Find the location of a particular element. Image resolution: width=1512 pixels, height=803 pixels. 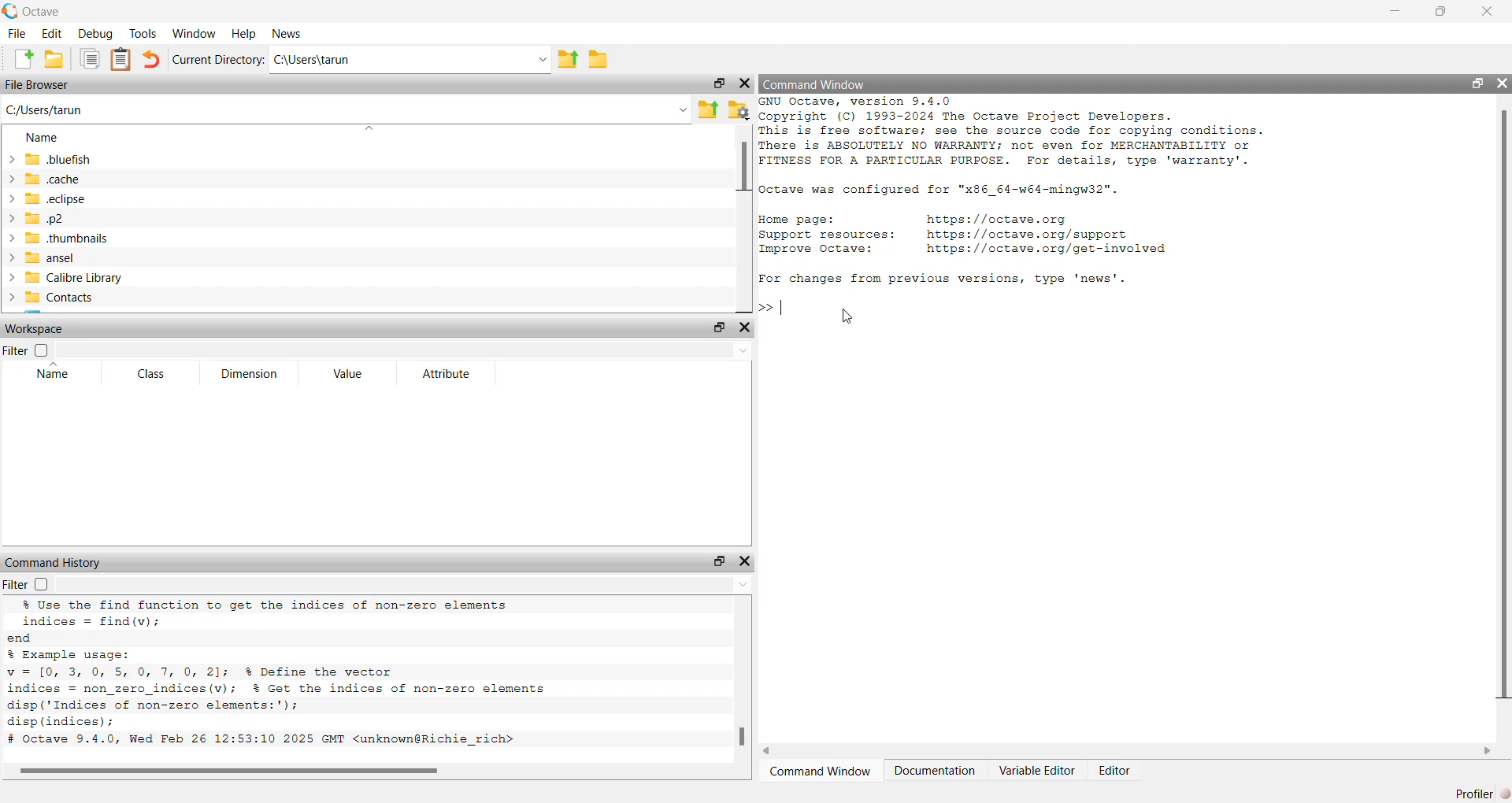

minimize is located at coordinates (1396, 13).